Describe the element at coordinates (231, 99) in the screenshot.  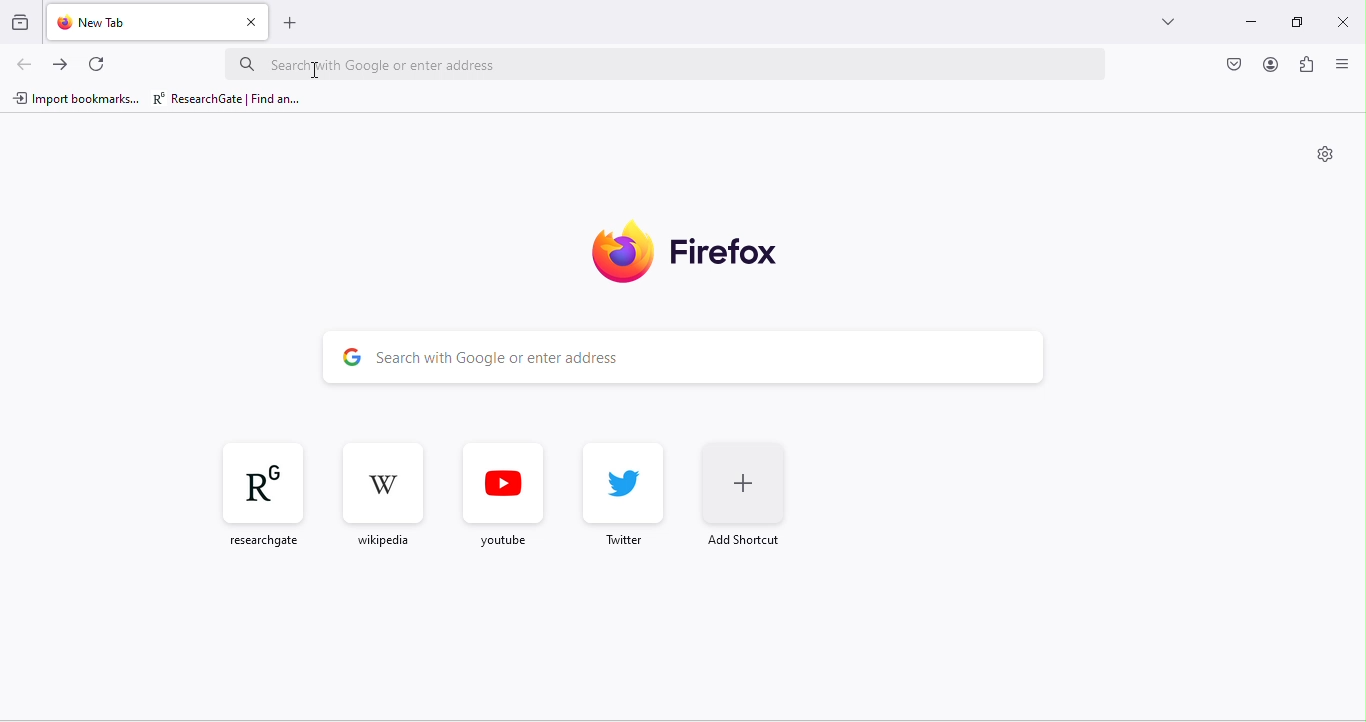
I see `researchgate` at that location.